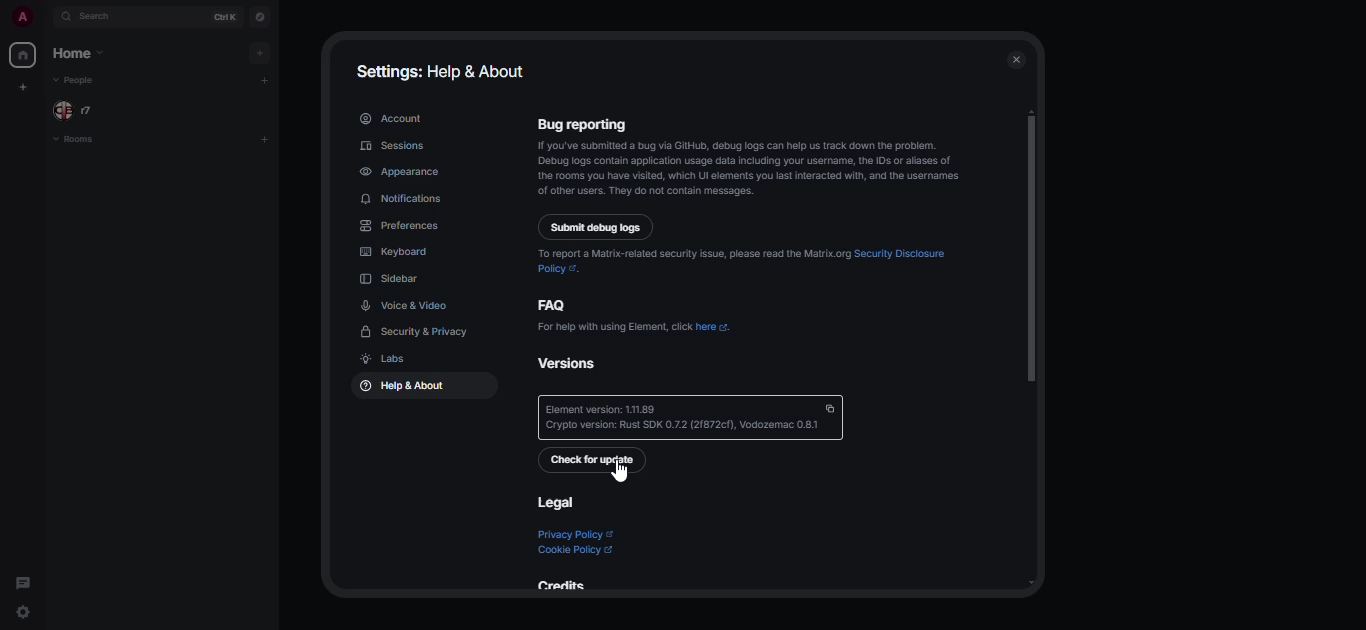  I want to click on voice & video, so click(405, 305).